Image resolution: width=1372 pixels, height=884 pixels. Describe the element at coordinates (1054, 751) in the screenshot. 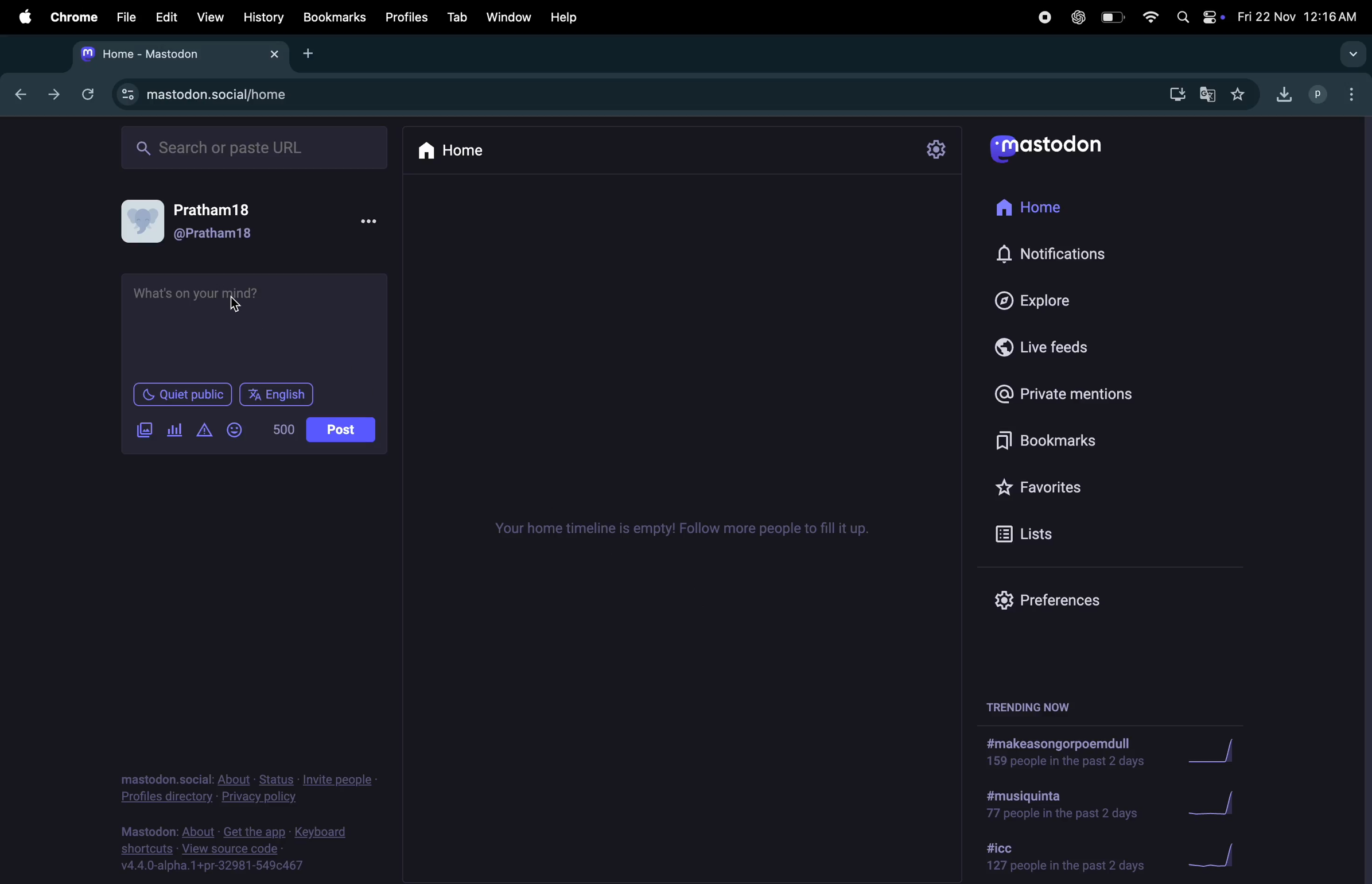

I see `hashtags` at that location.